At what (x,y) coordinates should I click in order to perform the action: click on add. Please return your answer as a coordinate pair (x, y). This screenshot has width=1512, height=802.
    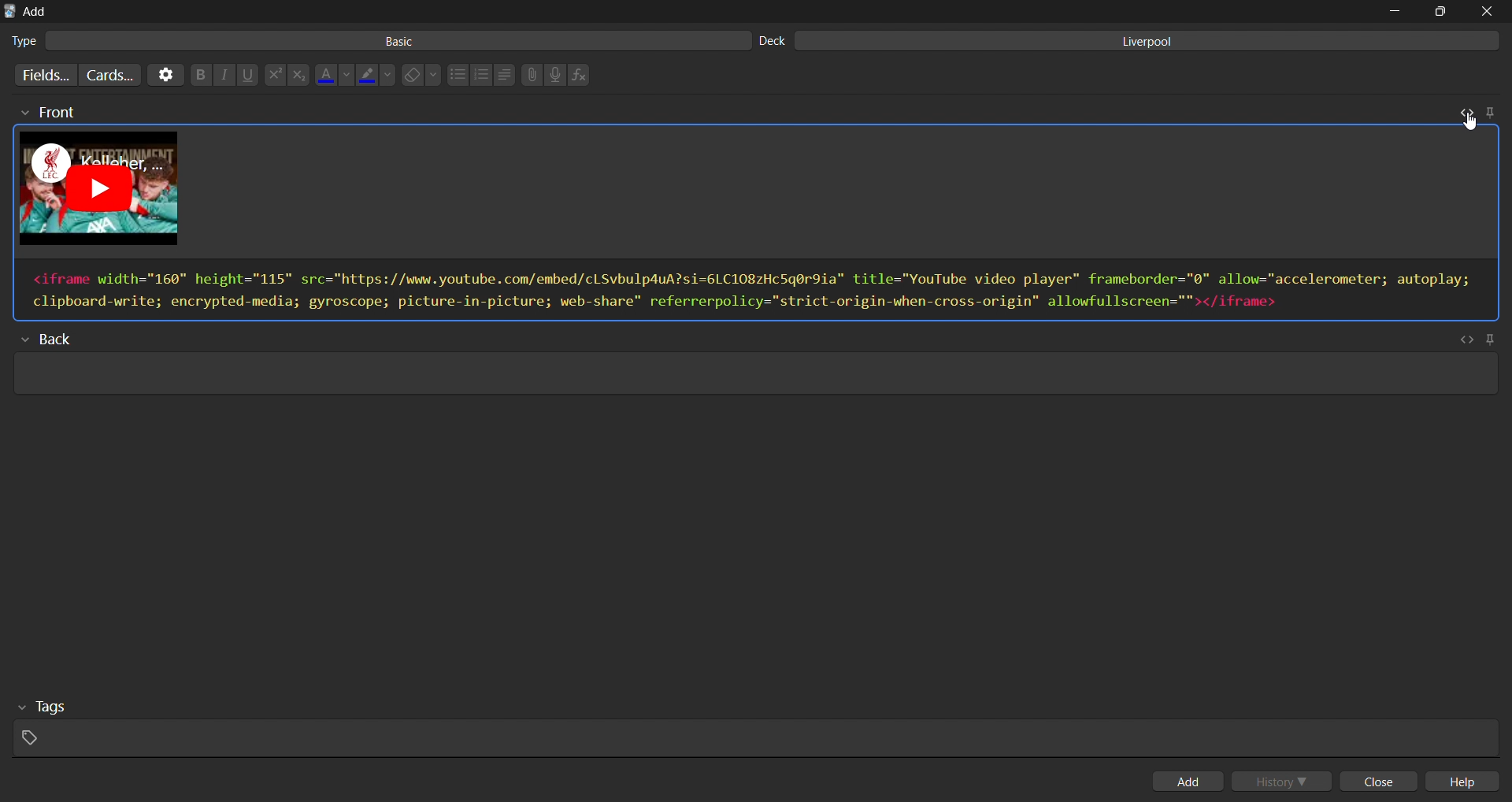
    Looking at the image, I should click on (1191, 781).